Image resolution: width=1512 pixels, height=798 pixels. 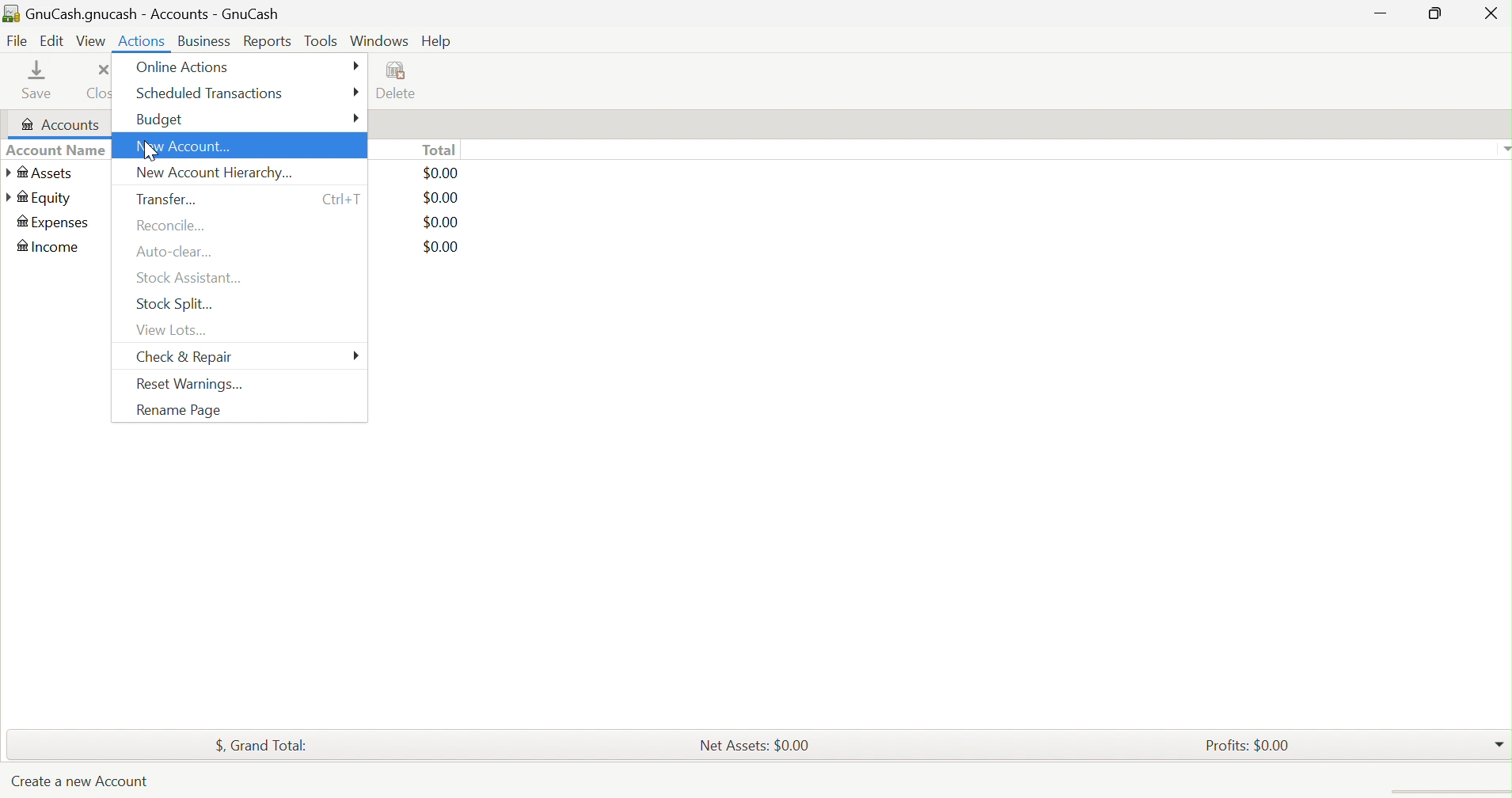 I want to click on More, so click(x=355, y=65).